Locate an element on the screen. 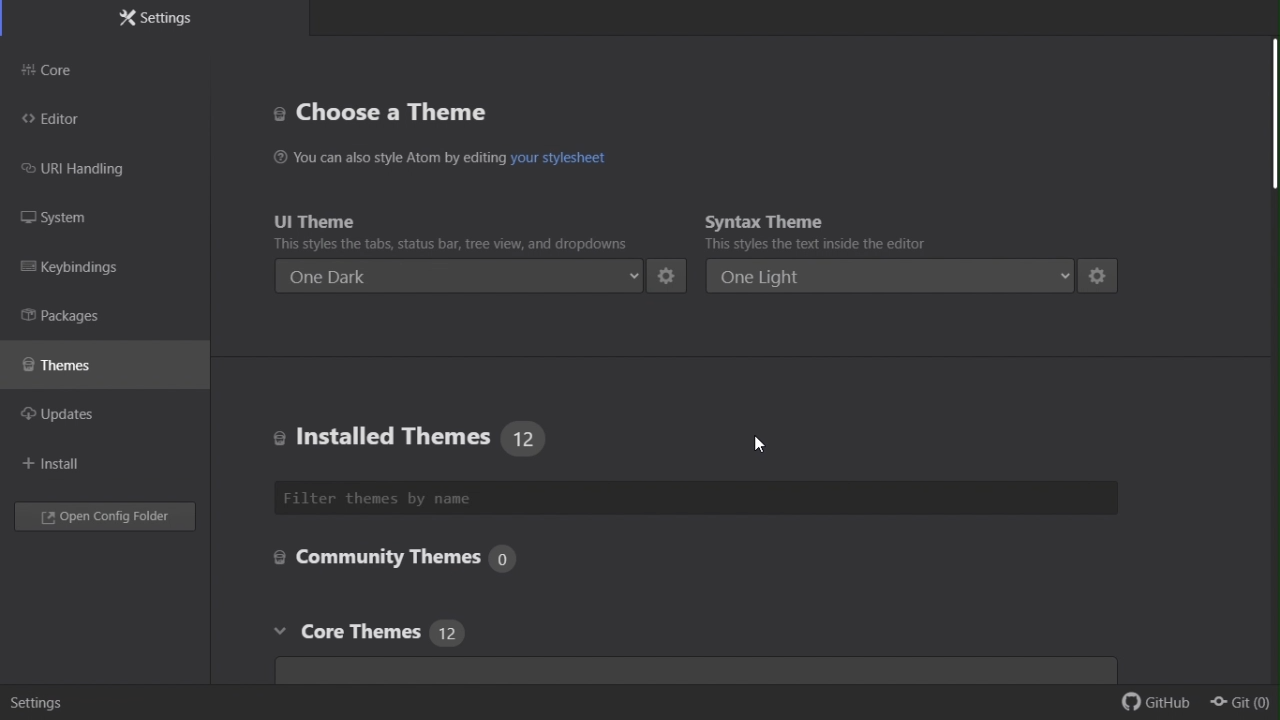  Filter themes by name is located at coordinates (466, 494).